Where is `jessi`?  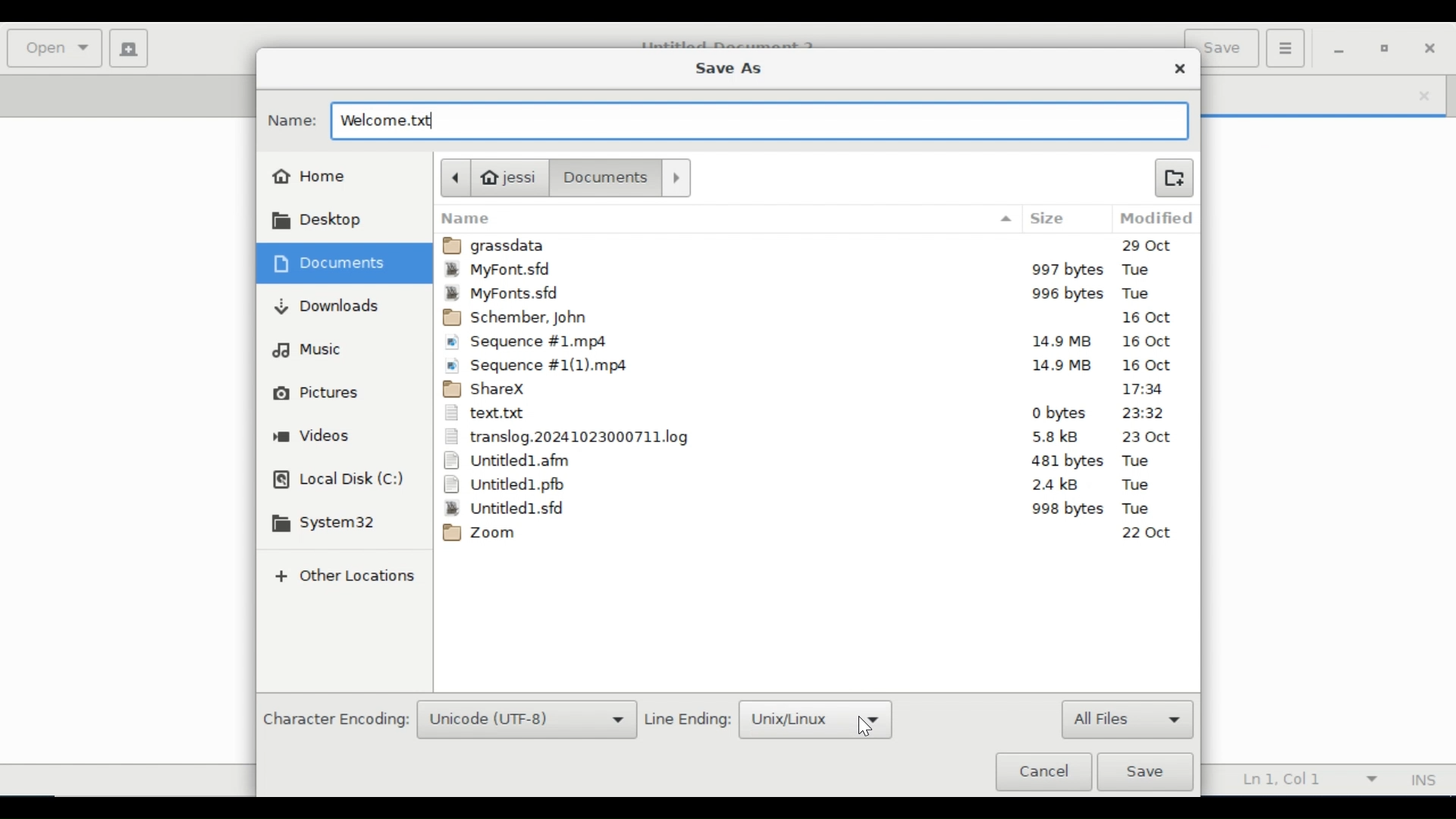
jessi is located at coordinates (512, 177).